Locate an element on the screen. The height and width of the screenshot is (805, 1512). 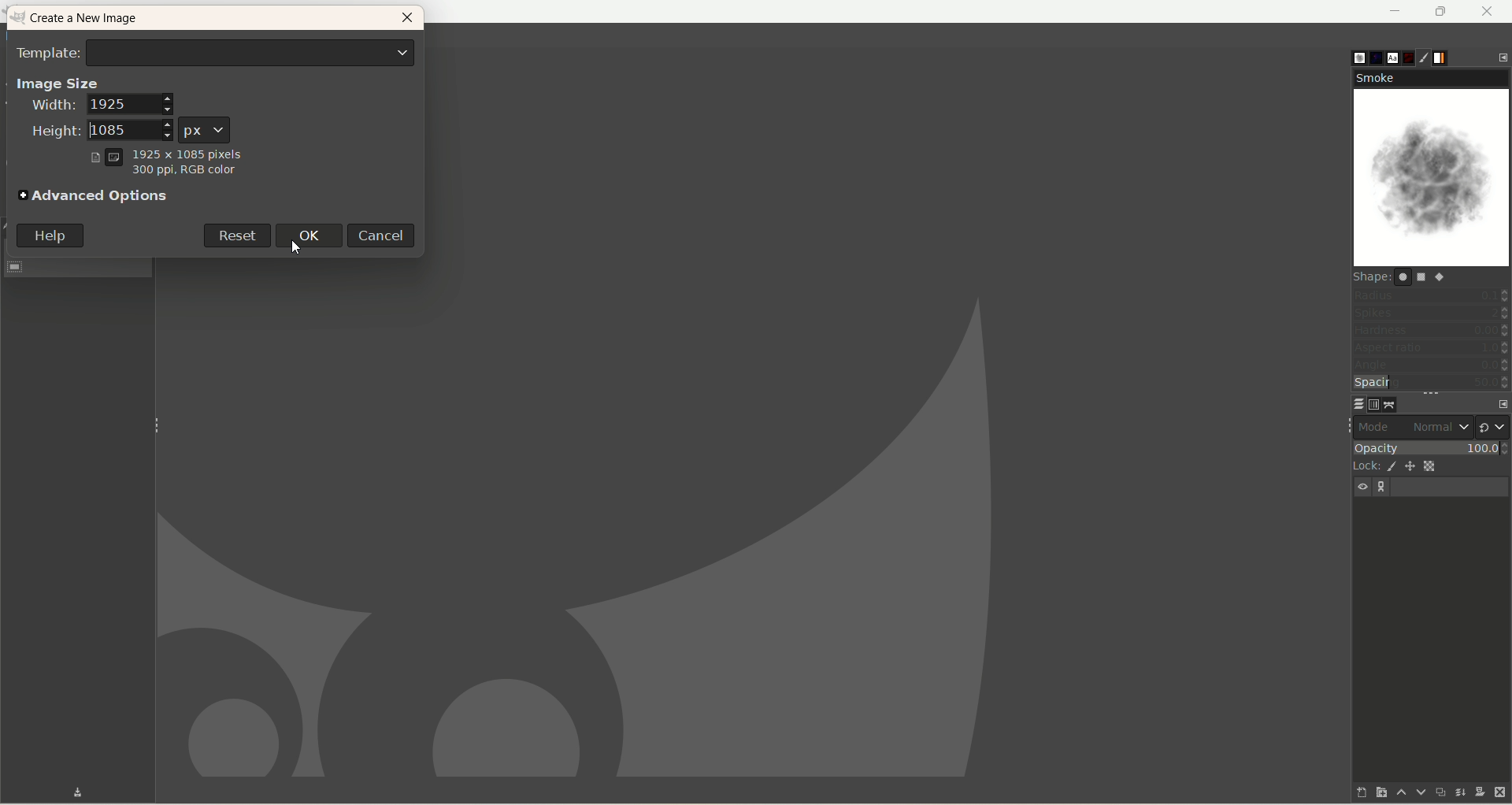
ok is located at coordinates (314, 235).